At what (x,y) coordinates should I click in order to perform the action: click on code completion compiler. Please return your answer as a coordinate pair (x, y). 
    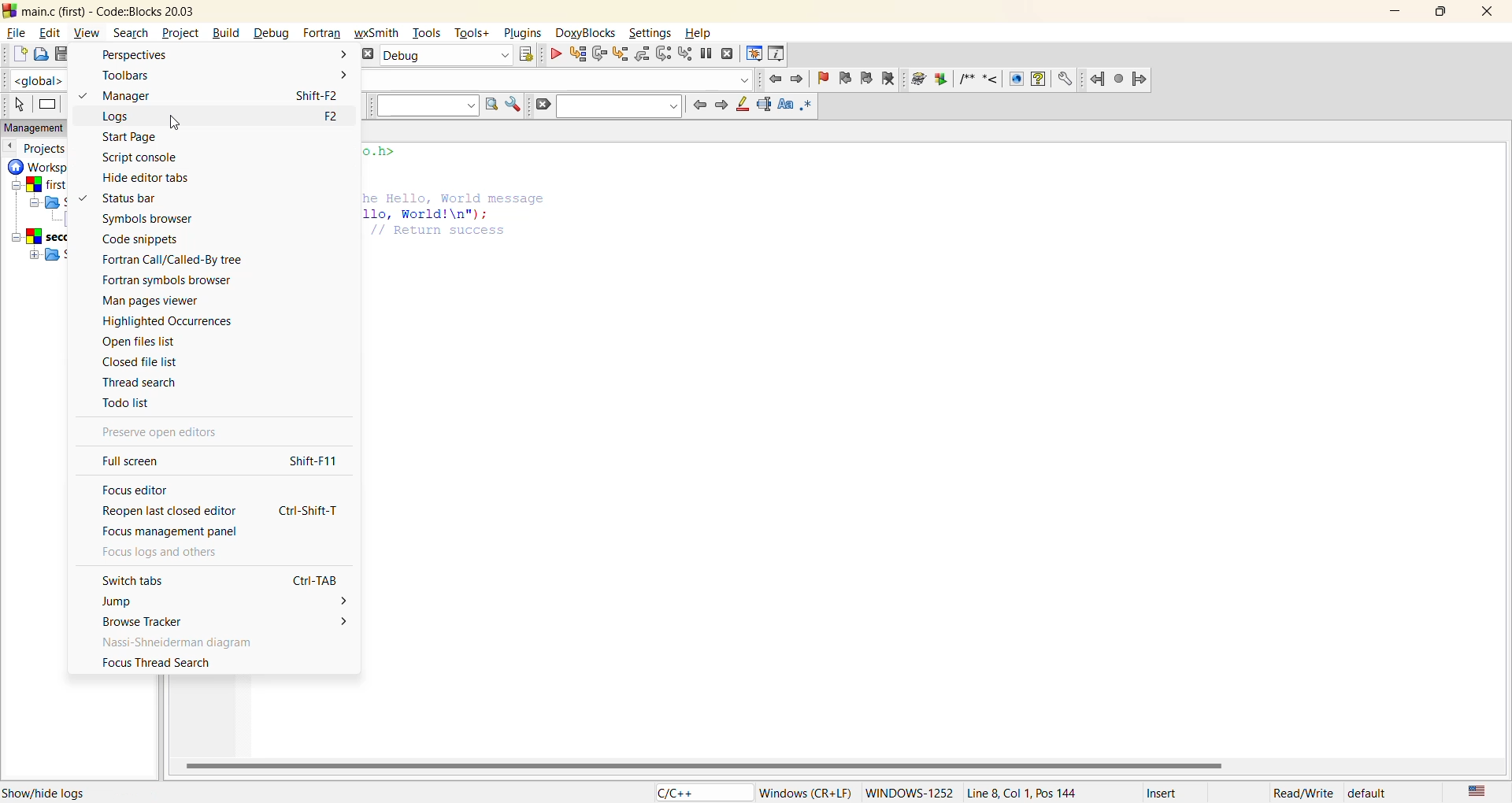
    Looking at the image, I should click on (565, 79).